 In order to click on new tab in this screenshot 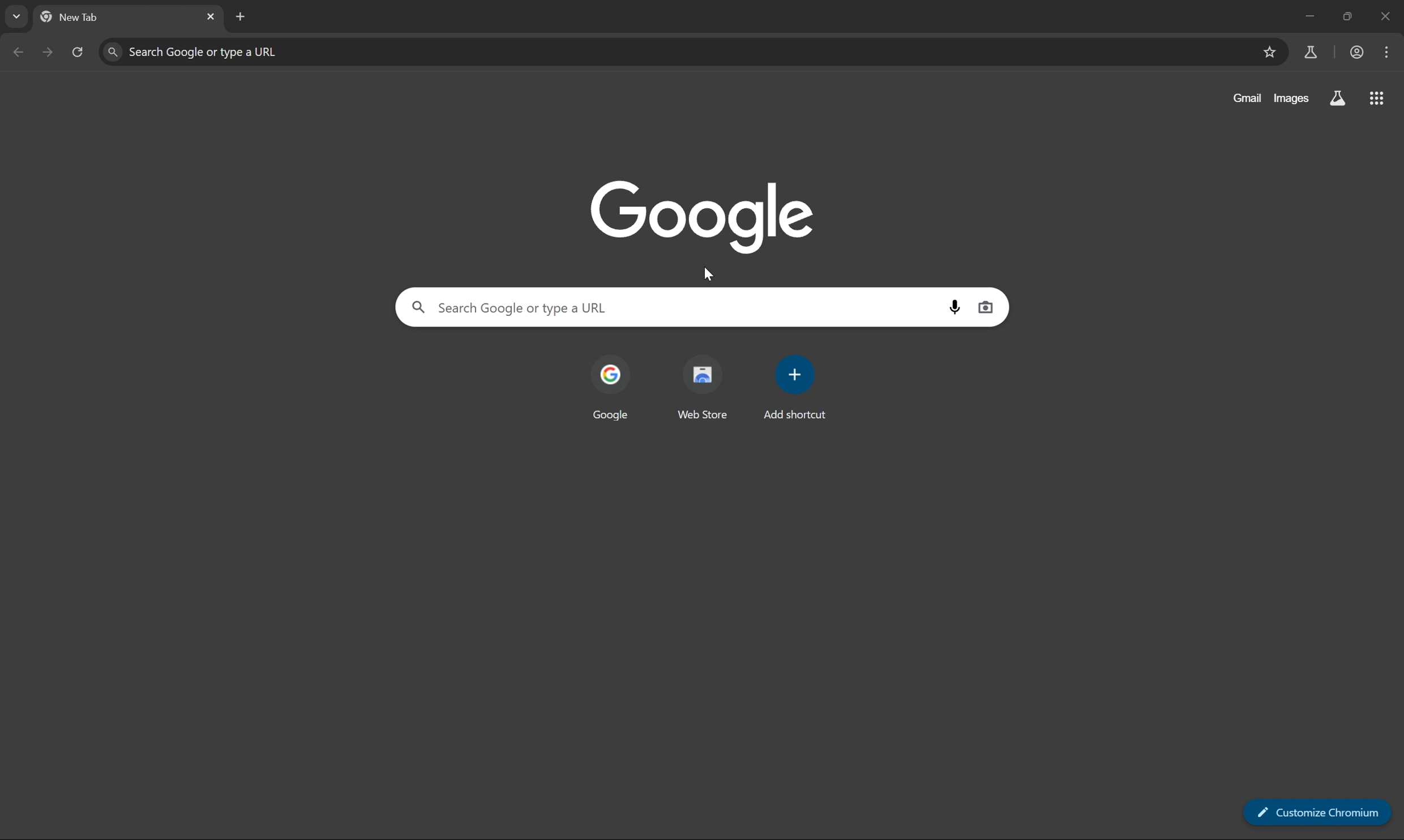, I will do `click(73, 18)`.